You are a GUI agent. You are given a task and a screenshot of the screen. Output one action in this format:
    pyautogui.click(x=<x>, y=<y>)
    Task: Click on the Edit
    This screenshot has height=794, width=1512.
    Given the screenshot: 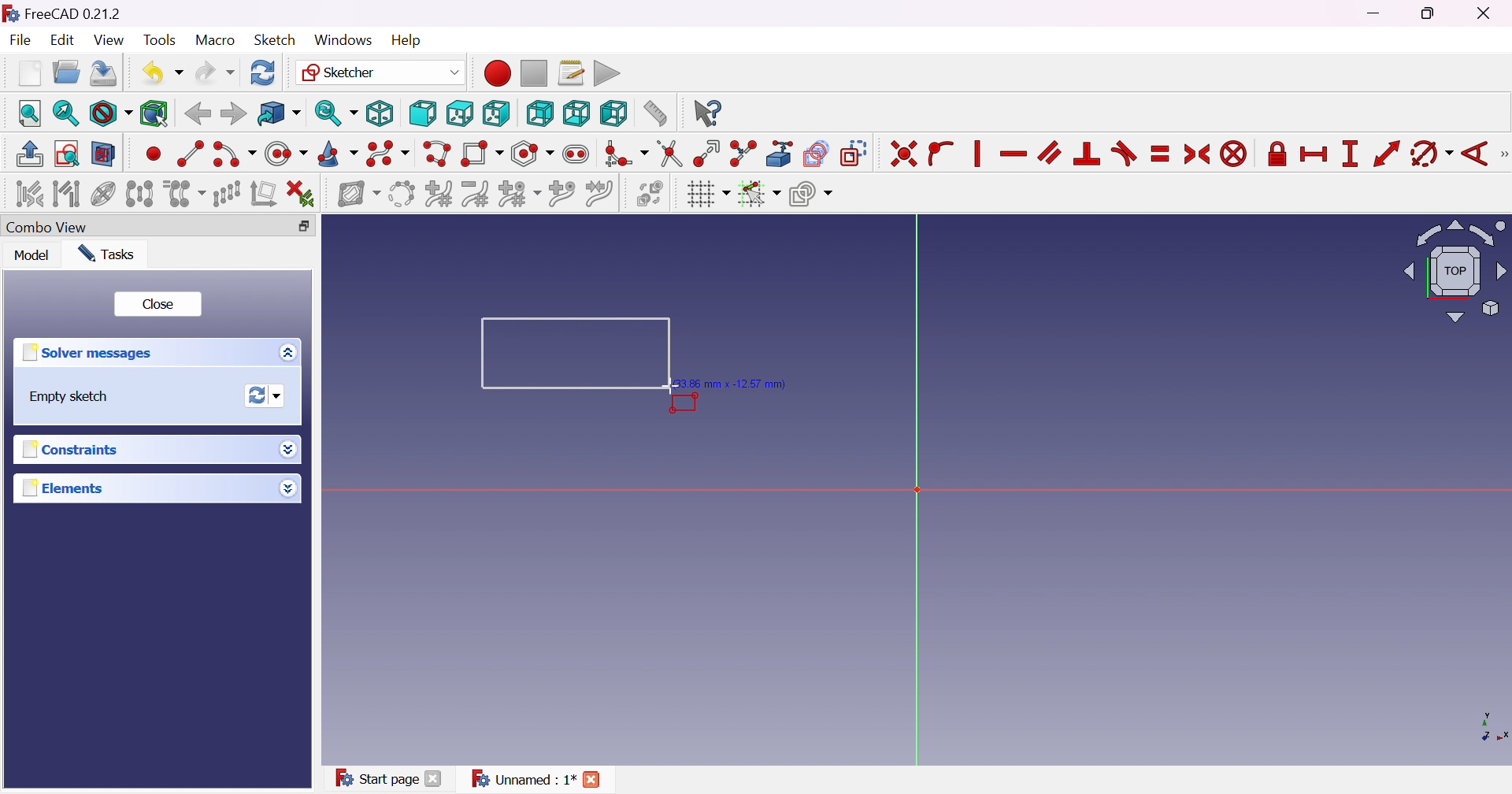 What is the action you would take?
    pyautogui.click(x=64, y=41)
    